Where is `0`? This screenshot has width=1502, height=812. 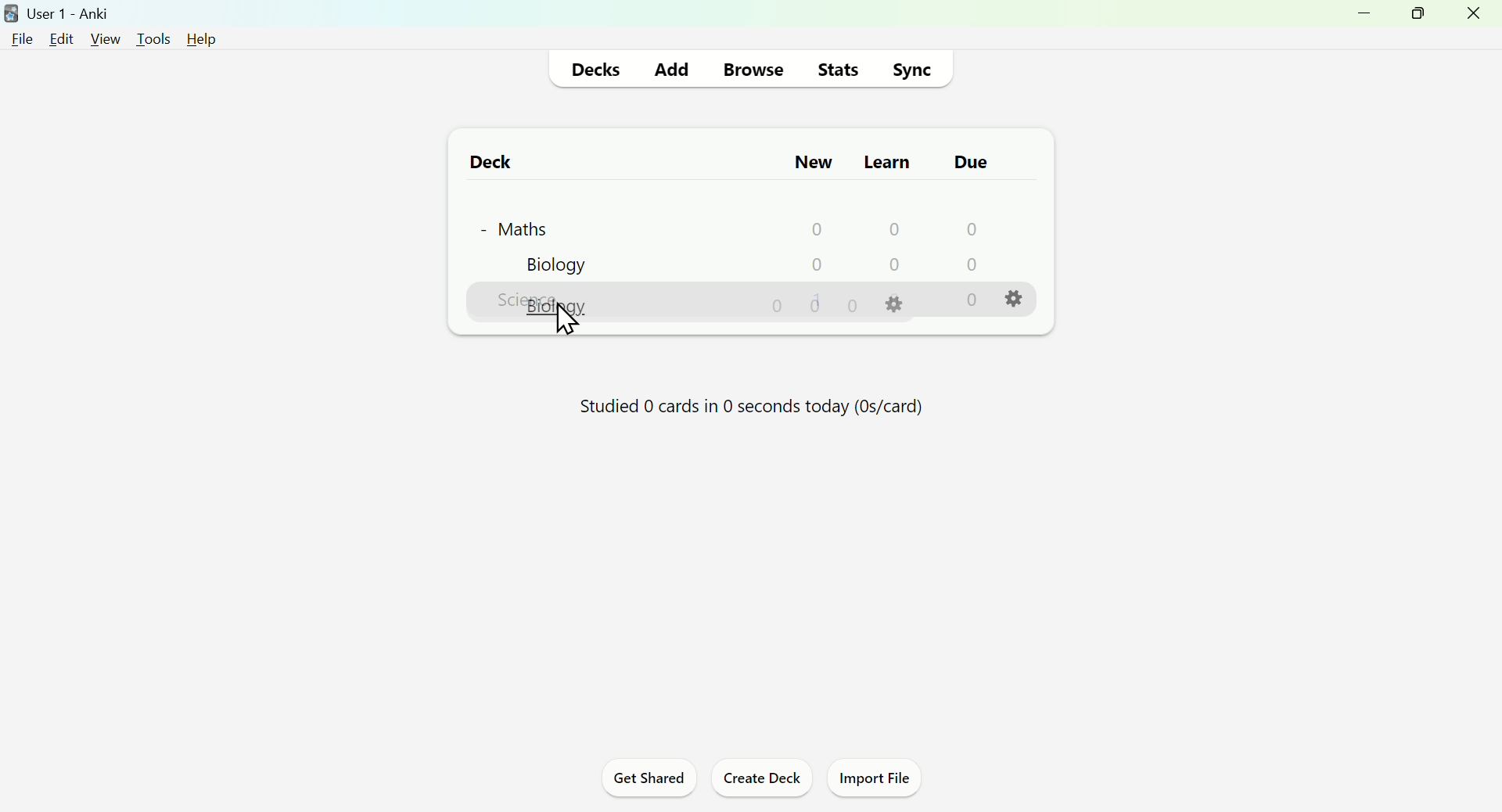 0 is located at coordinates (972, 300).